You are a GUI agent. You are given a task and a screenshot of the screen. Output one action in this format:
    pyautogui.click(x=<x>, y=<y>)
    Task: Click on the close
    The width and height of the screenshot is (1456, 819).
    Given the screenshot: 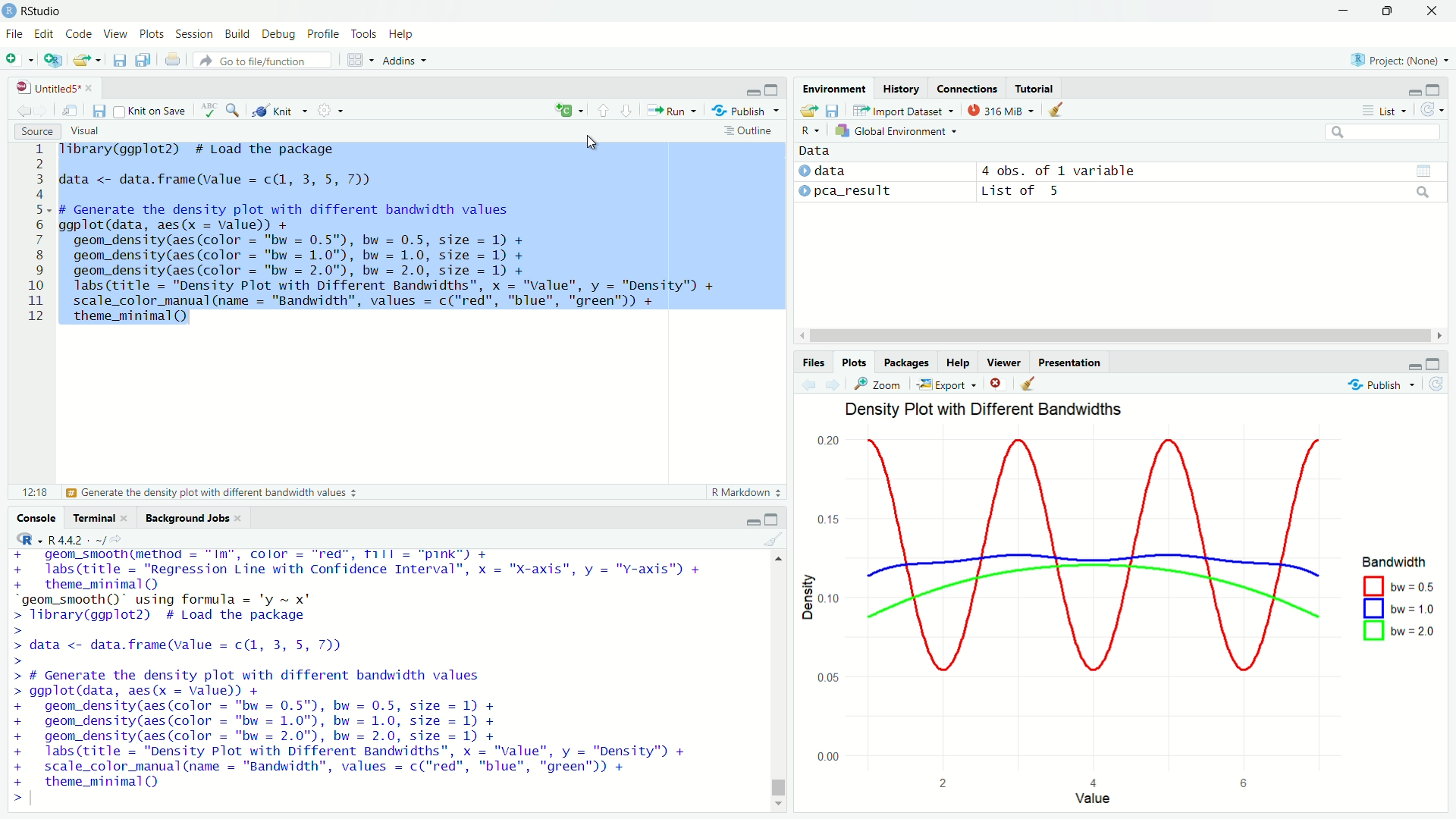 What is the action you would take?
    pyautogui.click(x=1432, y=11)
    